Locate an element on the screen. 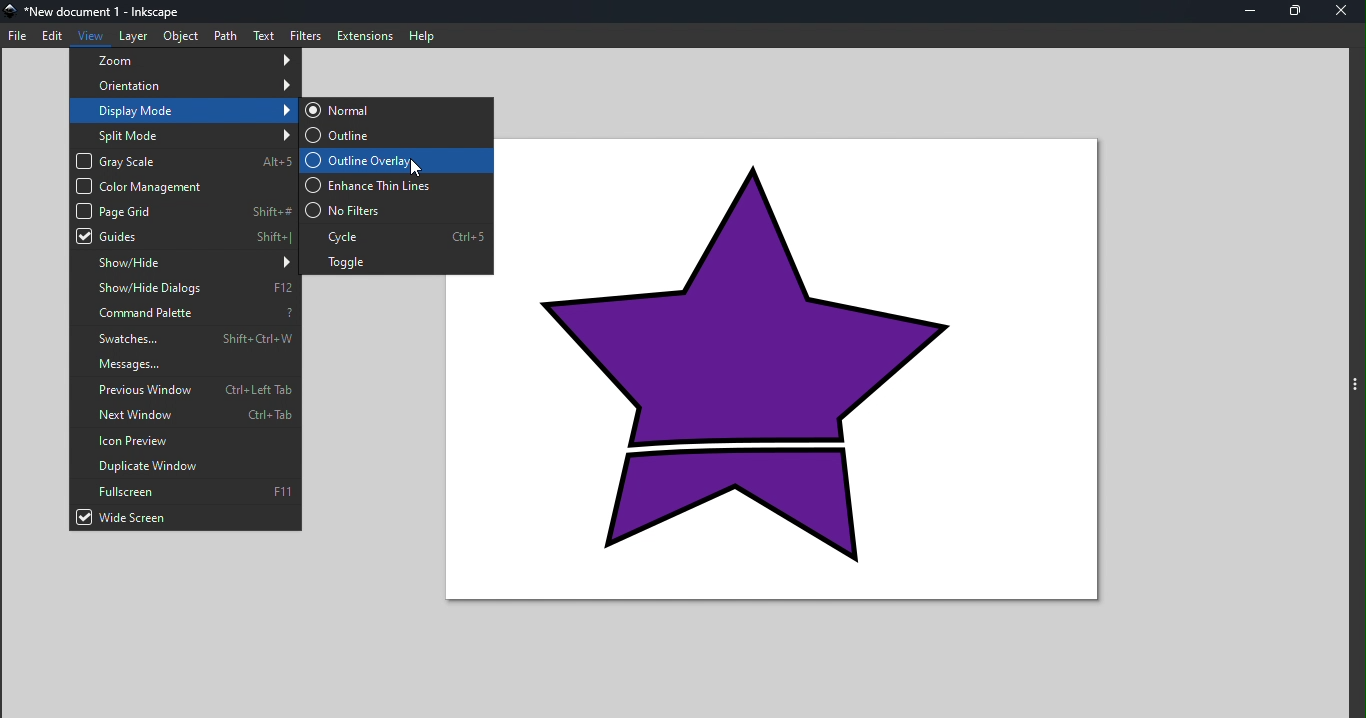 Image resolution: width=1366 pixels, height=718 pixels. Command palette is located at coordinates (183, 314).